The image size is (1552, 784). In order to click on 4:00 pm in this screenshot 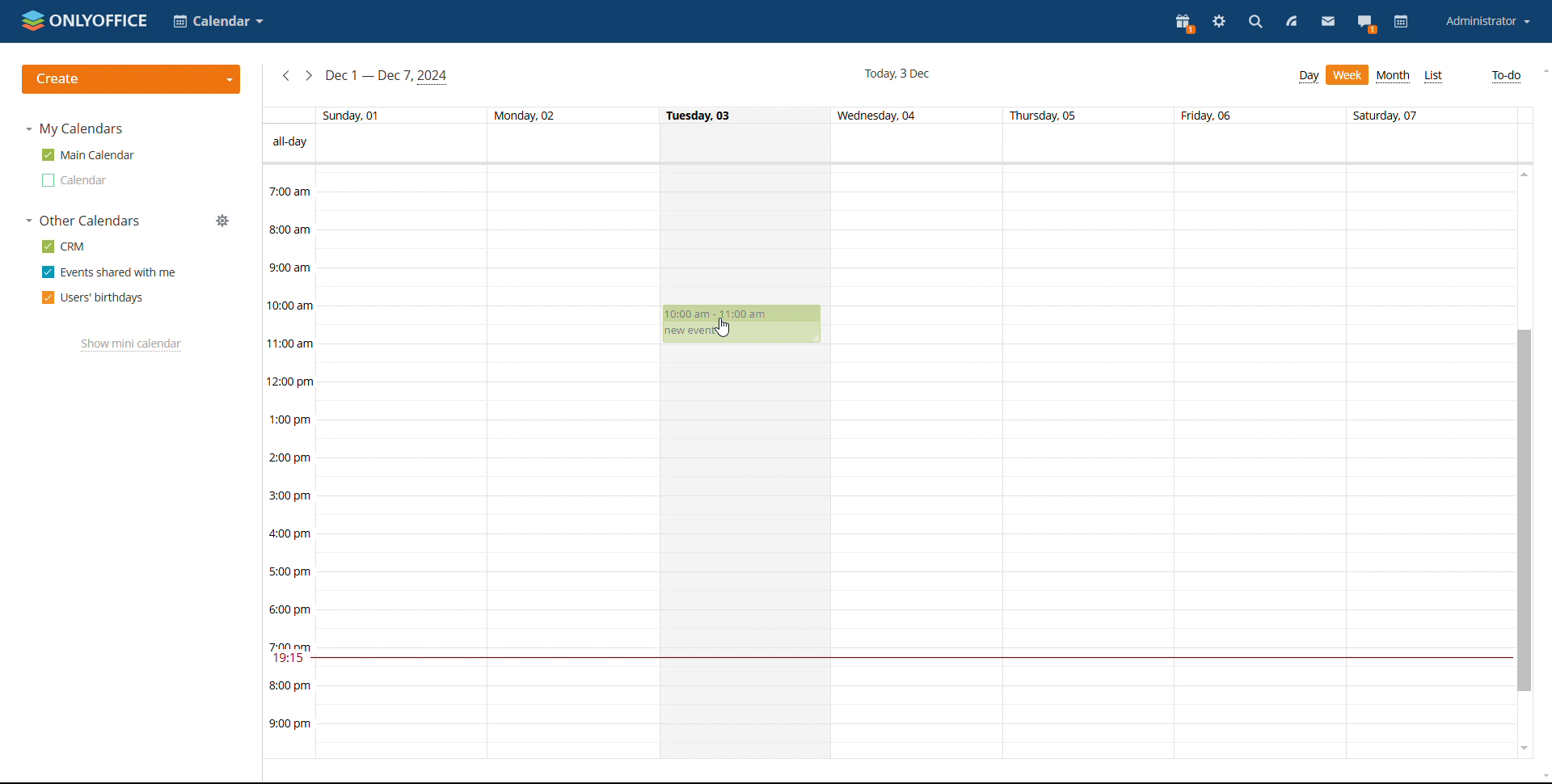, I will do `click(293, 533)`.